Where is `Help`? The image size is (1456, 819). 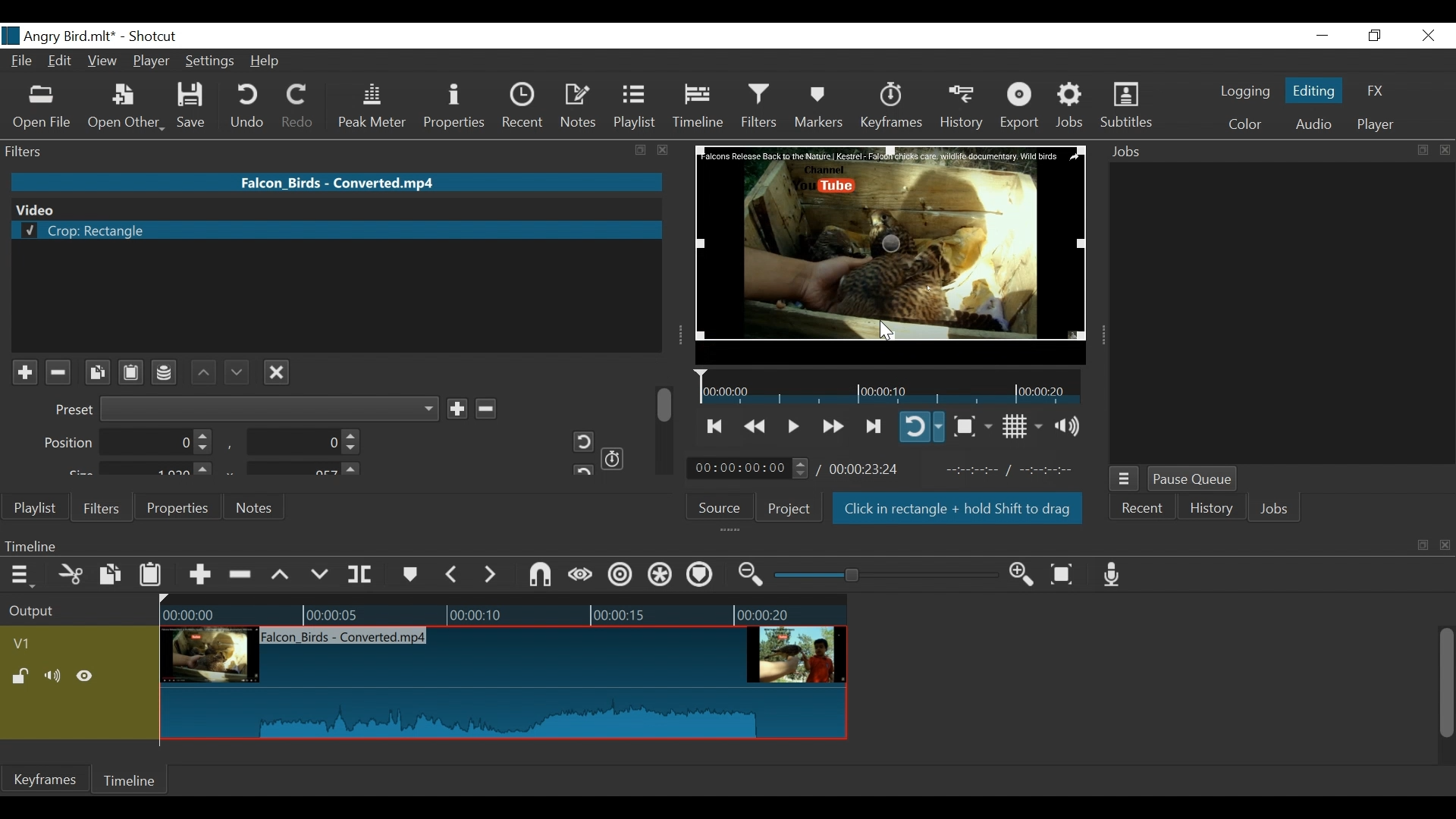
Help is located at coordinates (270, 61).